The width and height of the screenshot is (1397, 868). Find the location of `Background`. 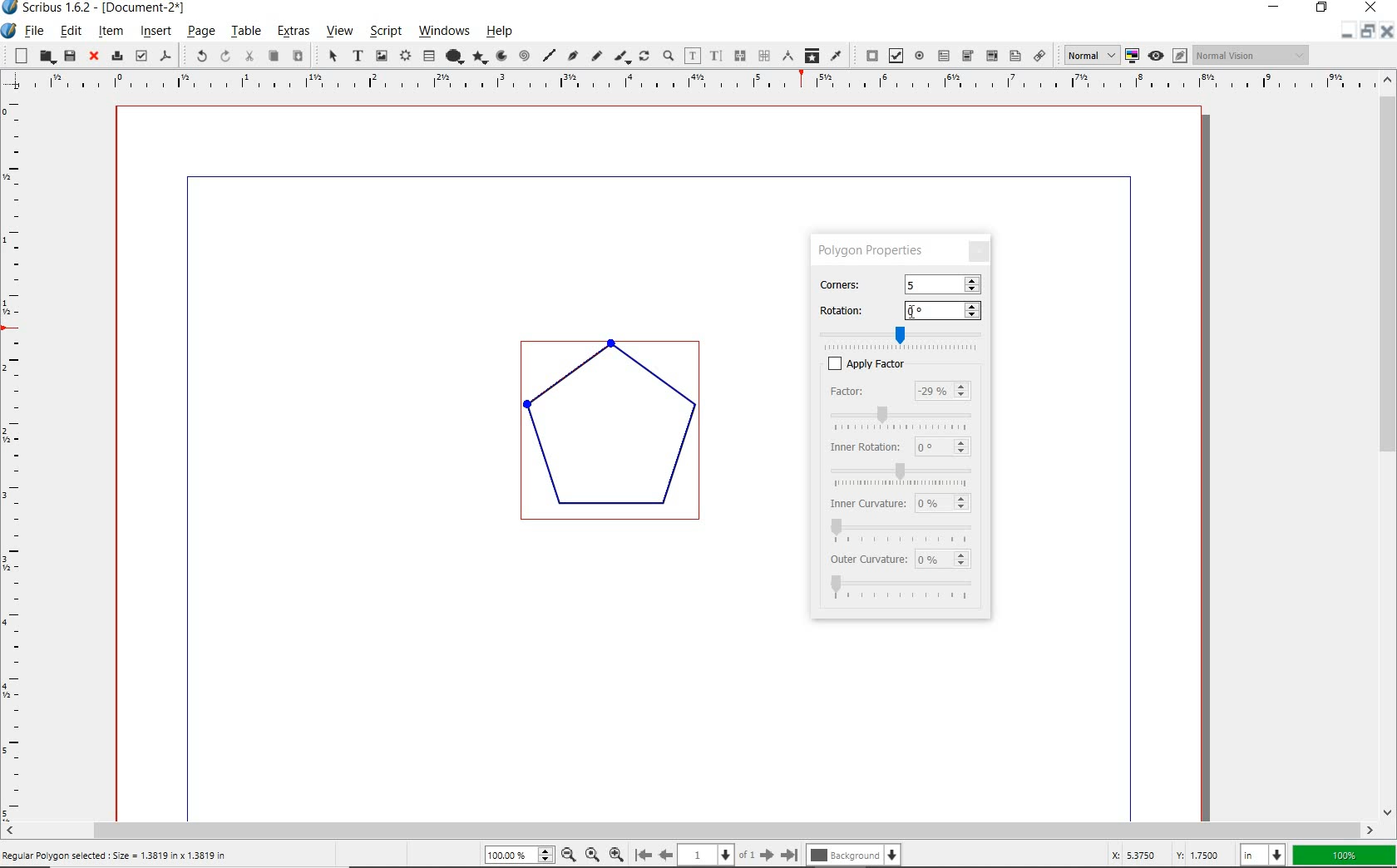

Background is located at coordinates (856, 855).